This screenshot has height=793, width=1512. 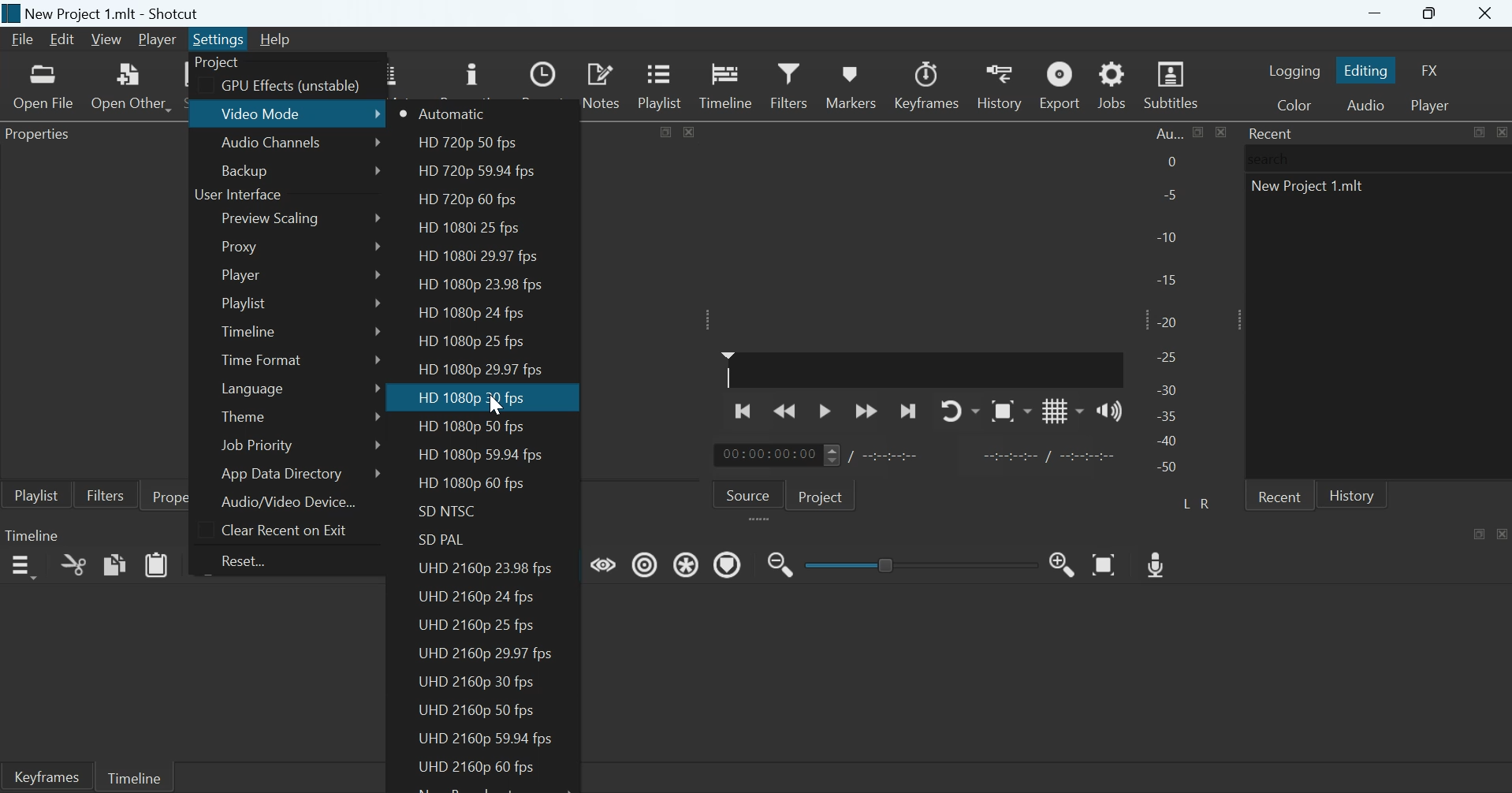 What do you see at coordinates (485, 454) in the screenshot?
I see `HD 1080p 59.94 fps` at bounding box center [485, 454].